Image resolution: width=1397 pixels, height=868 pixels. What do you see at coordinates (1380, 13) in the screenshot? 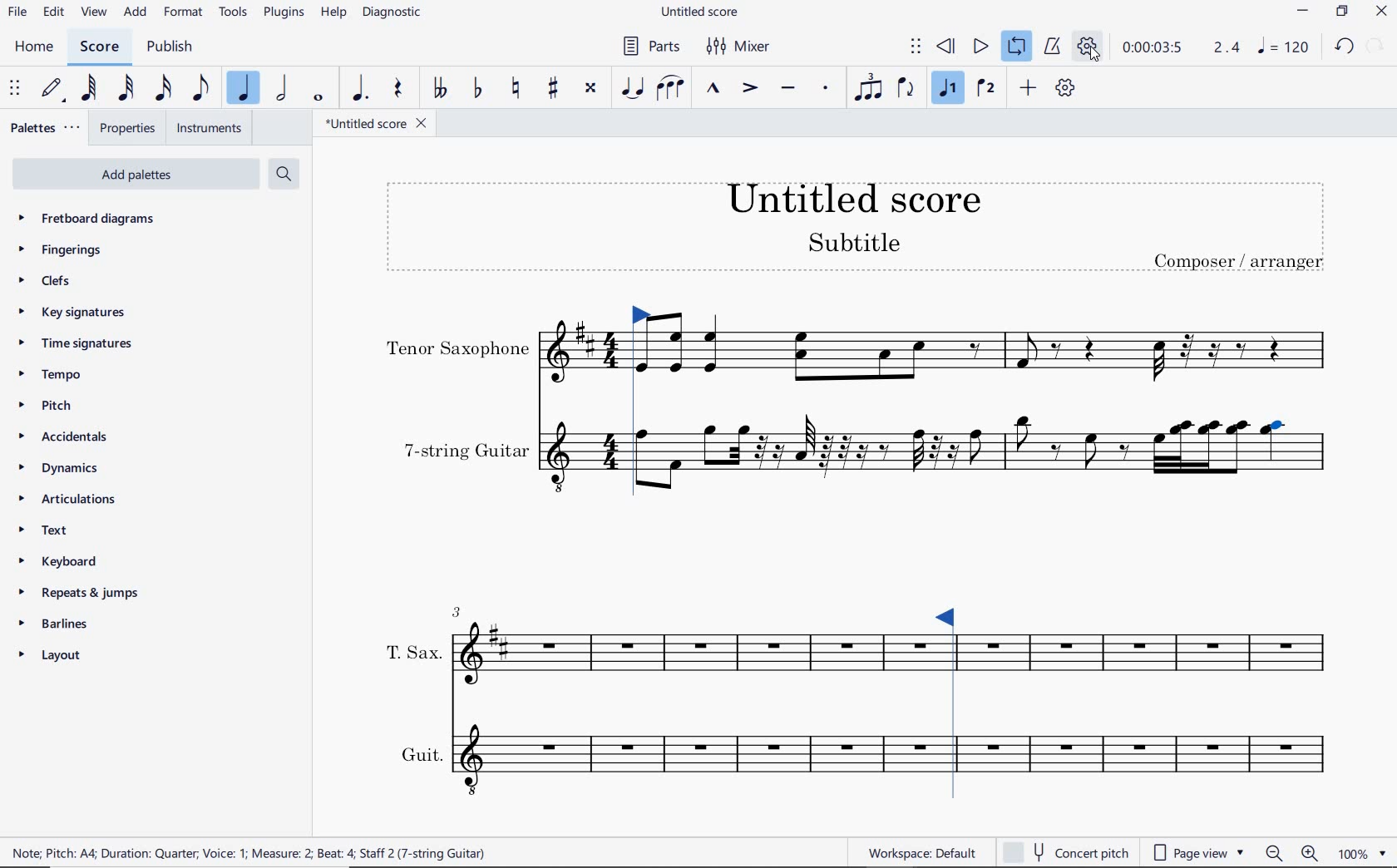
I see `CLOSE` at bounding box center [1380, 13].